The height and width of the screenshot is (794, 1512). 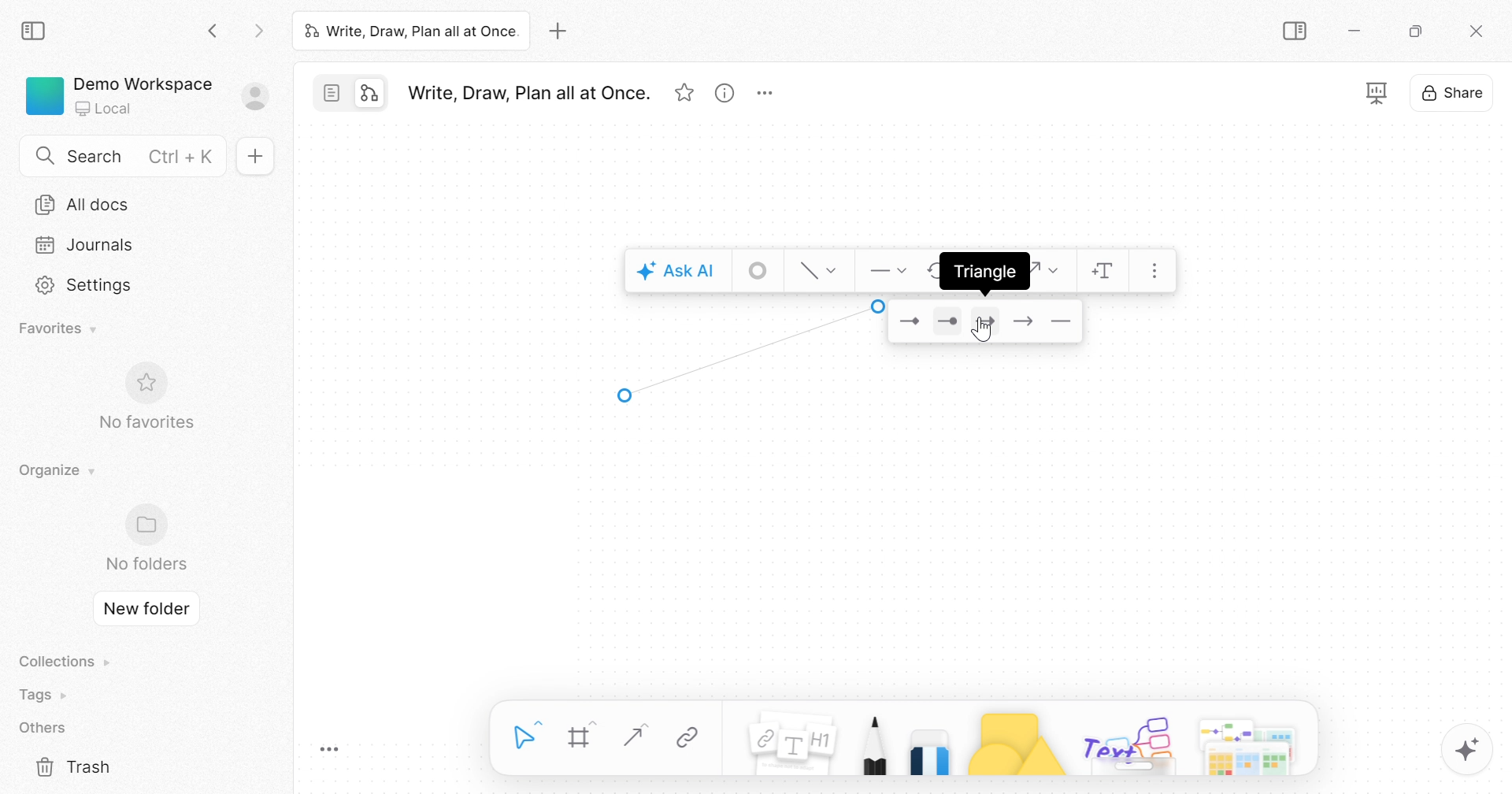 What do you see at coordinates (61, 662) in the screenshot?
I see `Collections` at bounding box center [61, 662].